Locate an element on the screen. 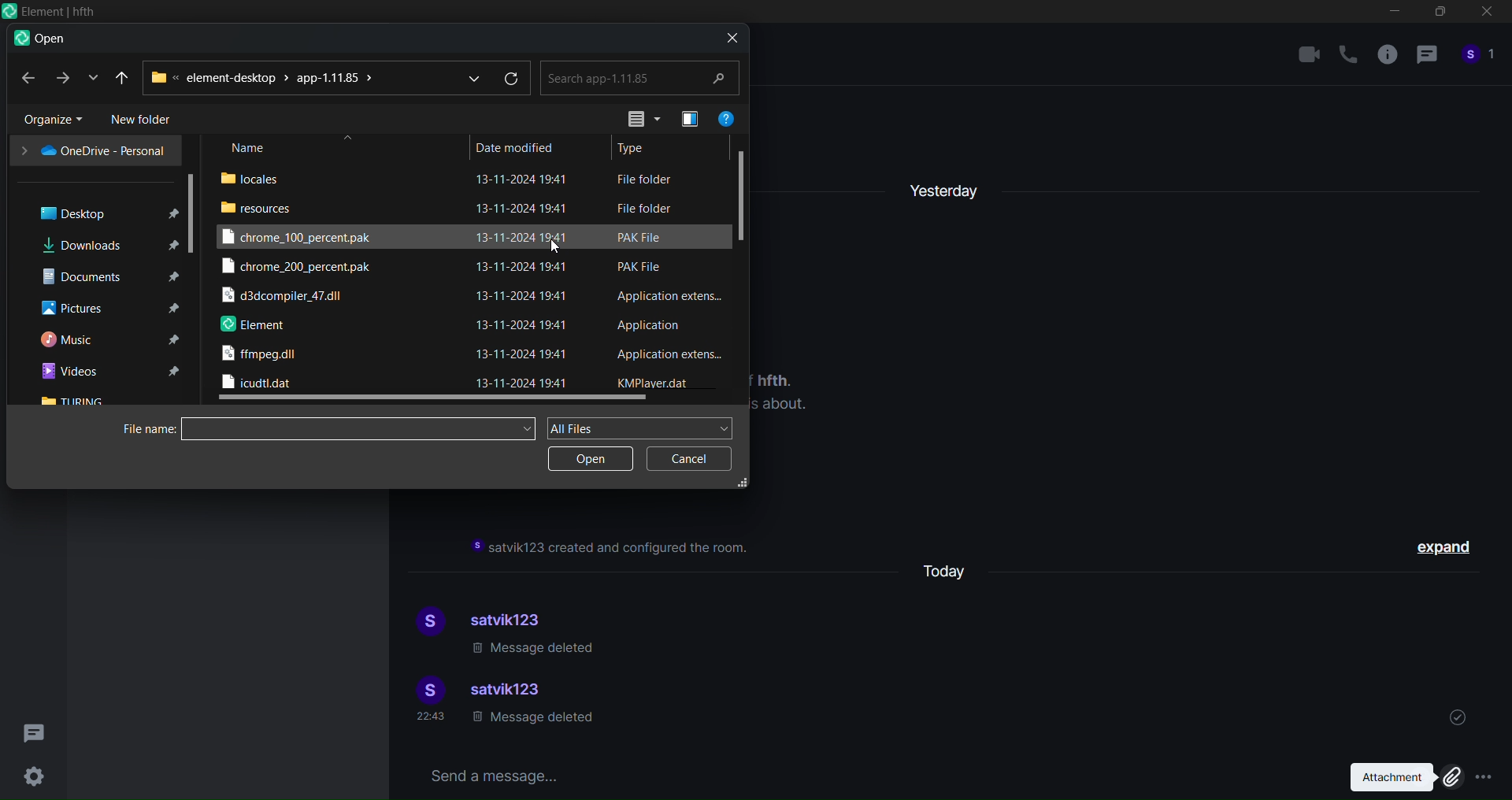 This screenshot has height=800, width=1512. instruction is located at coordinates (613, 548).